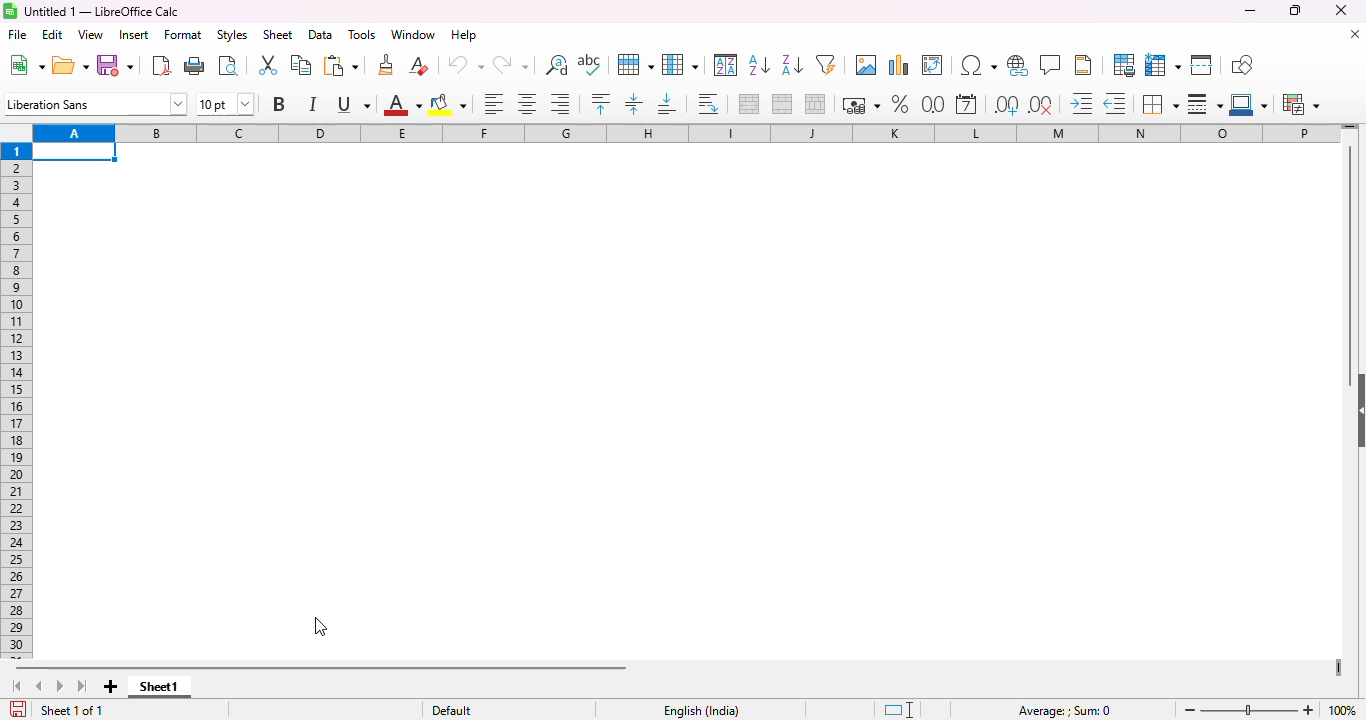 The image size is (1366, 720). What do you see at coordinates (26, 65) in the screenshot?
I see `new` at bounding box center [26, 65].